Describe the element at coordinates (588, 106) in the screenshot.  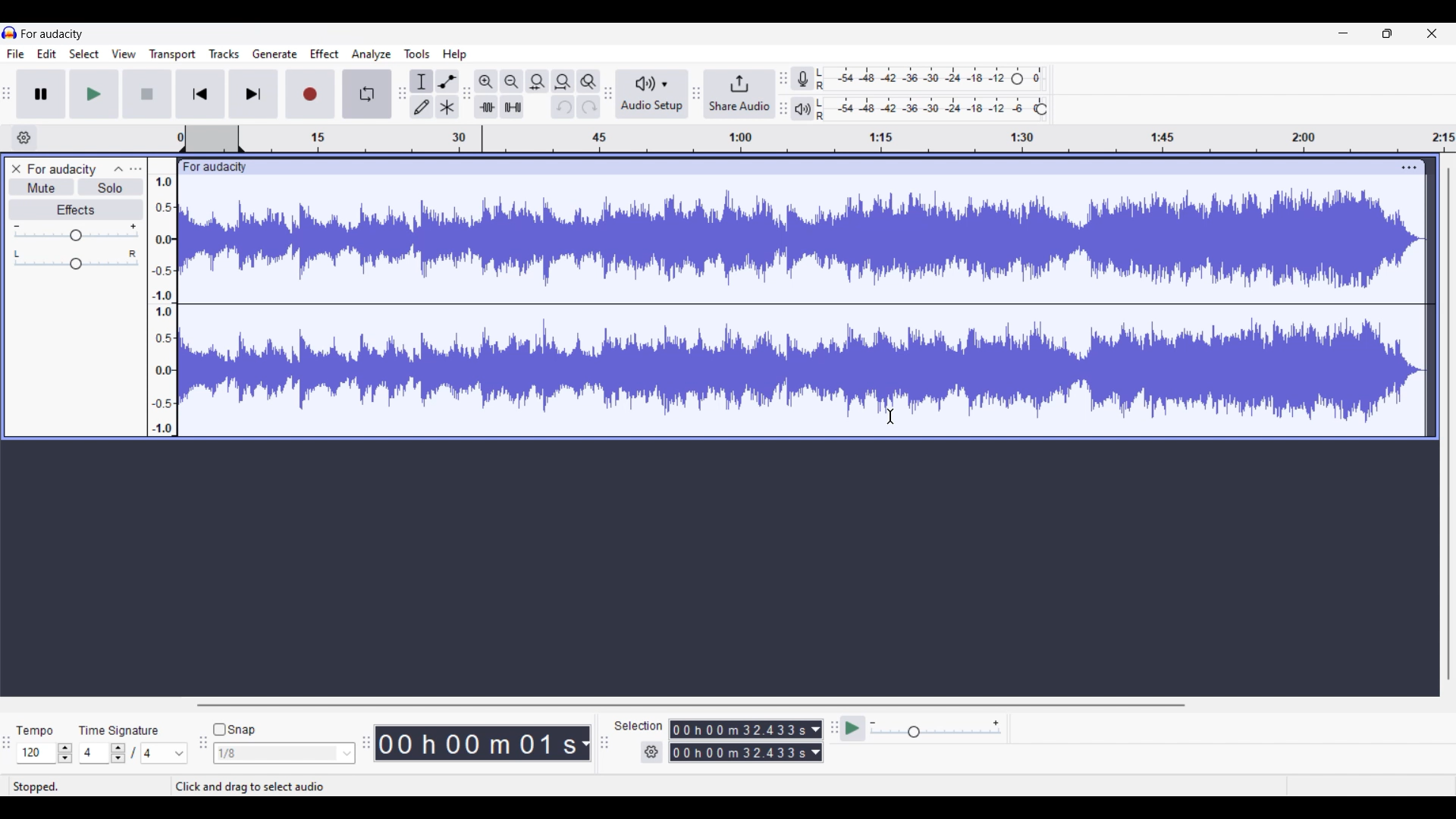
I see `Redo` at that location.